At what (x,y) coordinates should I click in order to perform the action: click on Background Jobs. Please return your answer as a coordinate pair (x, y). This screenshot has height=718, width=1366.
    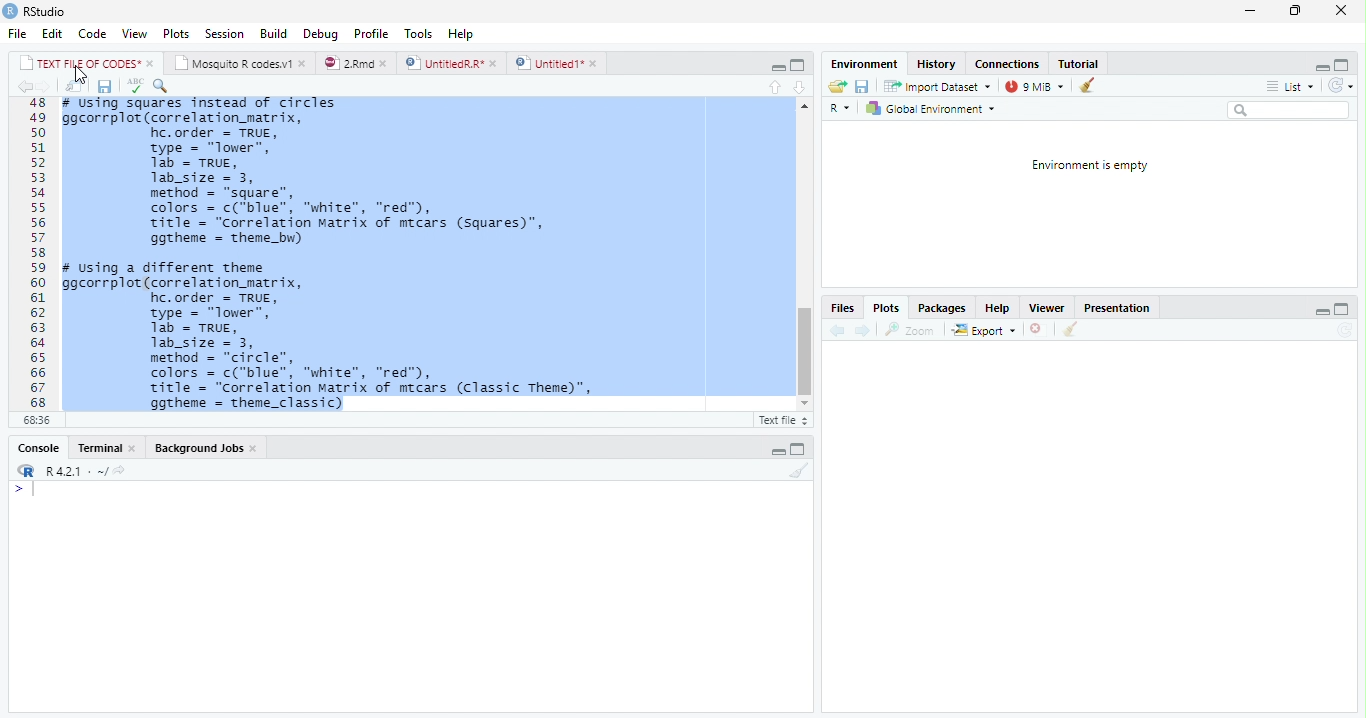
    Looking at the image, I should click on (205, 450).